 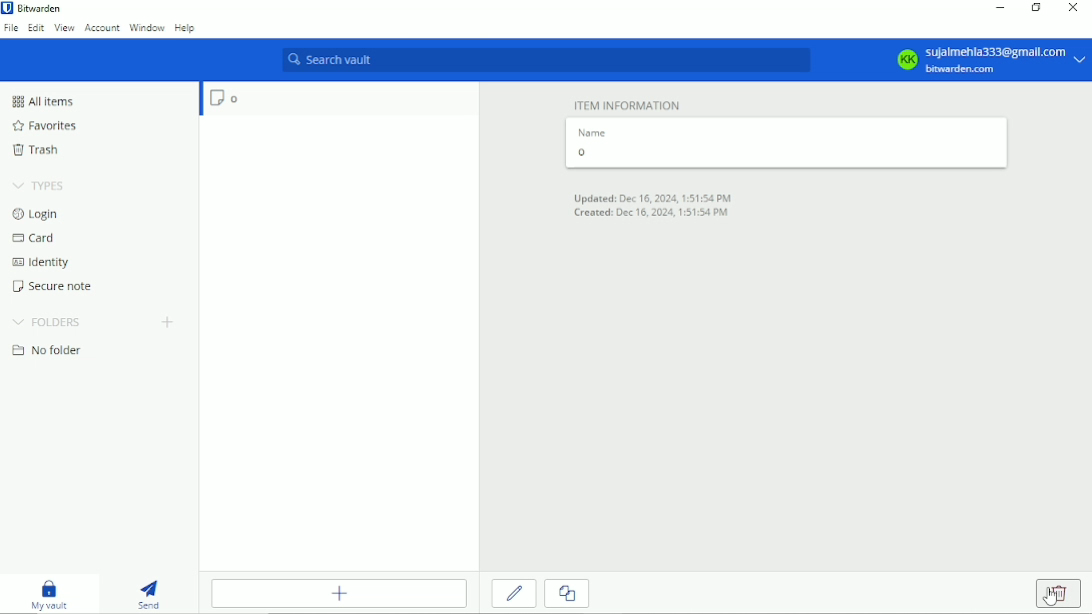 I want to click on View, so click(x=64, y=28).